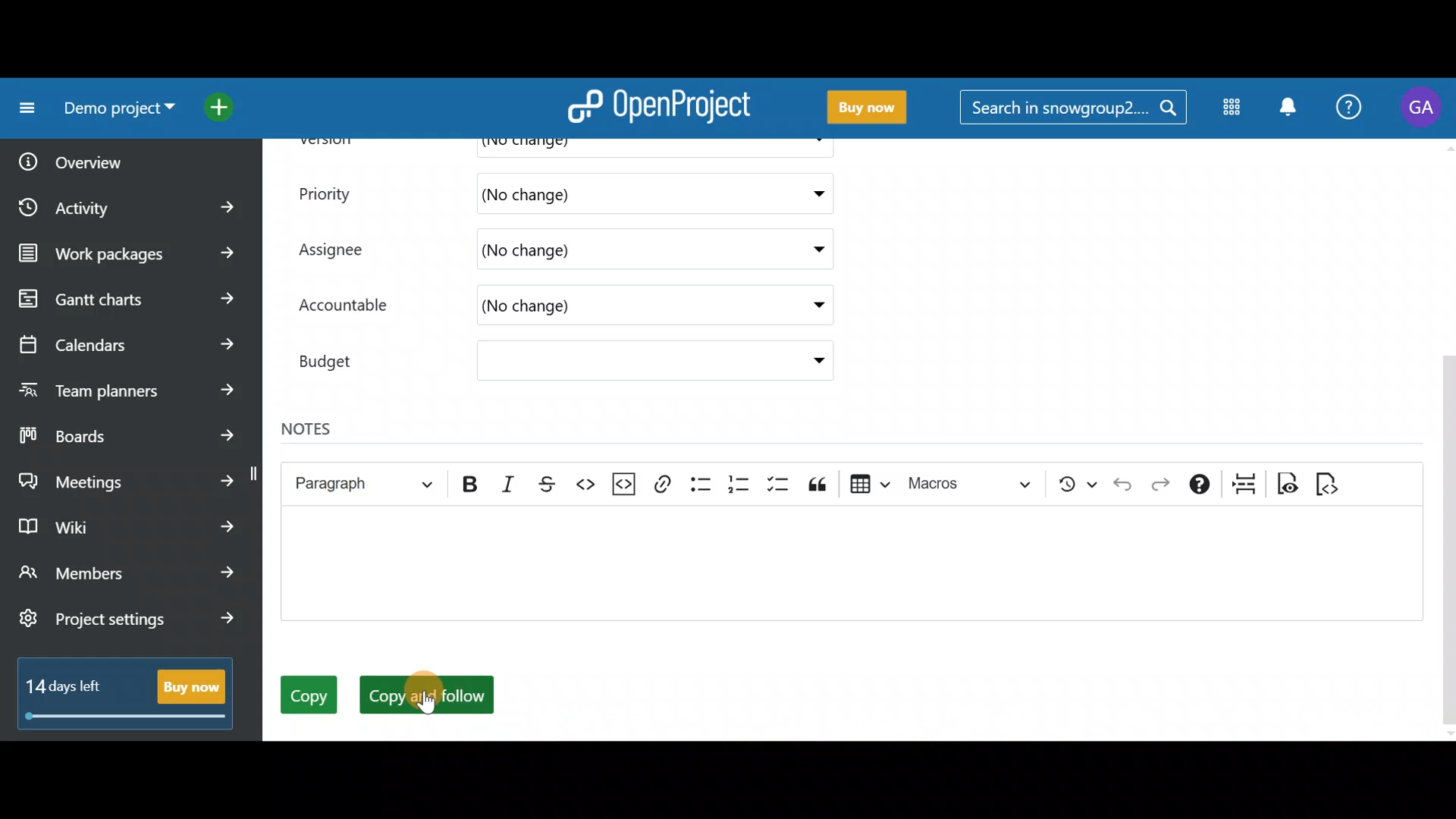  What do you see at coordinates (429, 694) in the screenshot?
I see `Cursor` at bounding box center [429, 694].